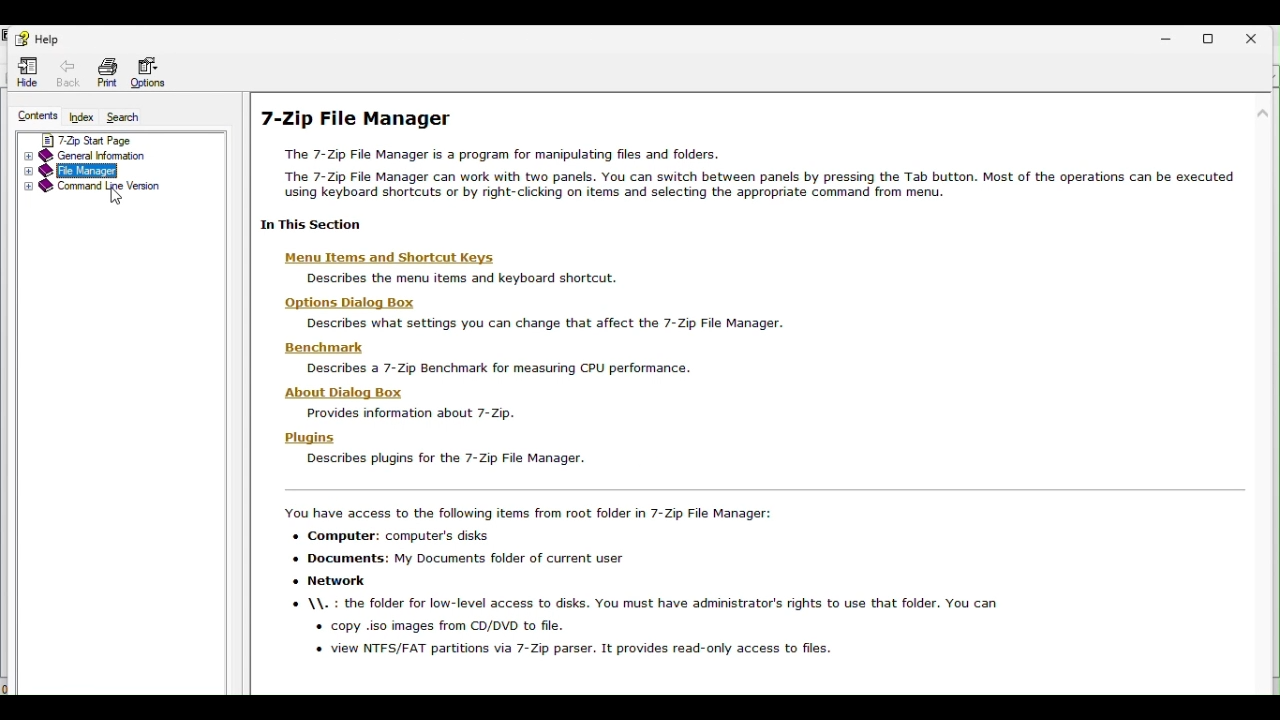  What do you see at coordinates (315, 225) in the screenshot?
I see `| In This Section` at bounding box center [315, 225].